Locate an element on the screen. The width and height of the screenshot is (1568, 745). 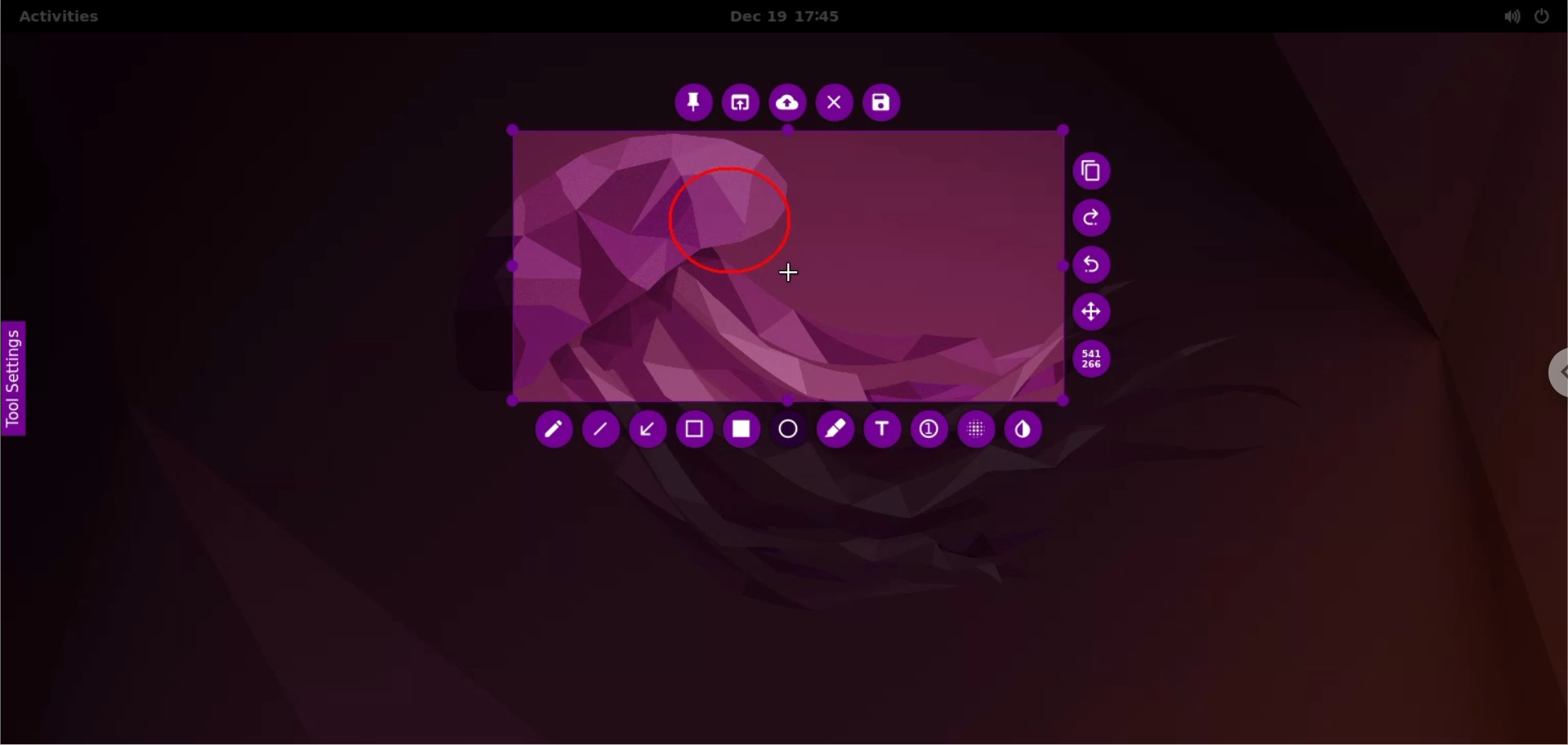
save is located at coordinates (881, 103).